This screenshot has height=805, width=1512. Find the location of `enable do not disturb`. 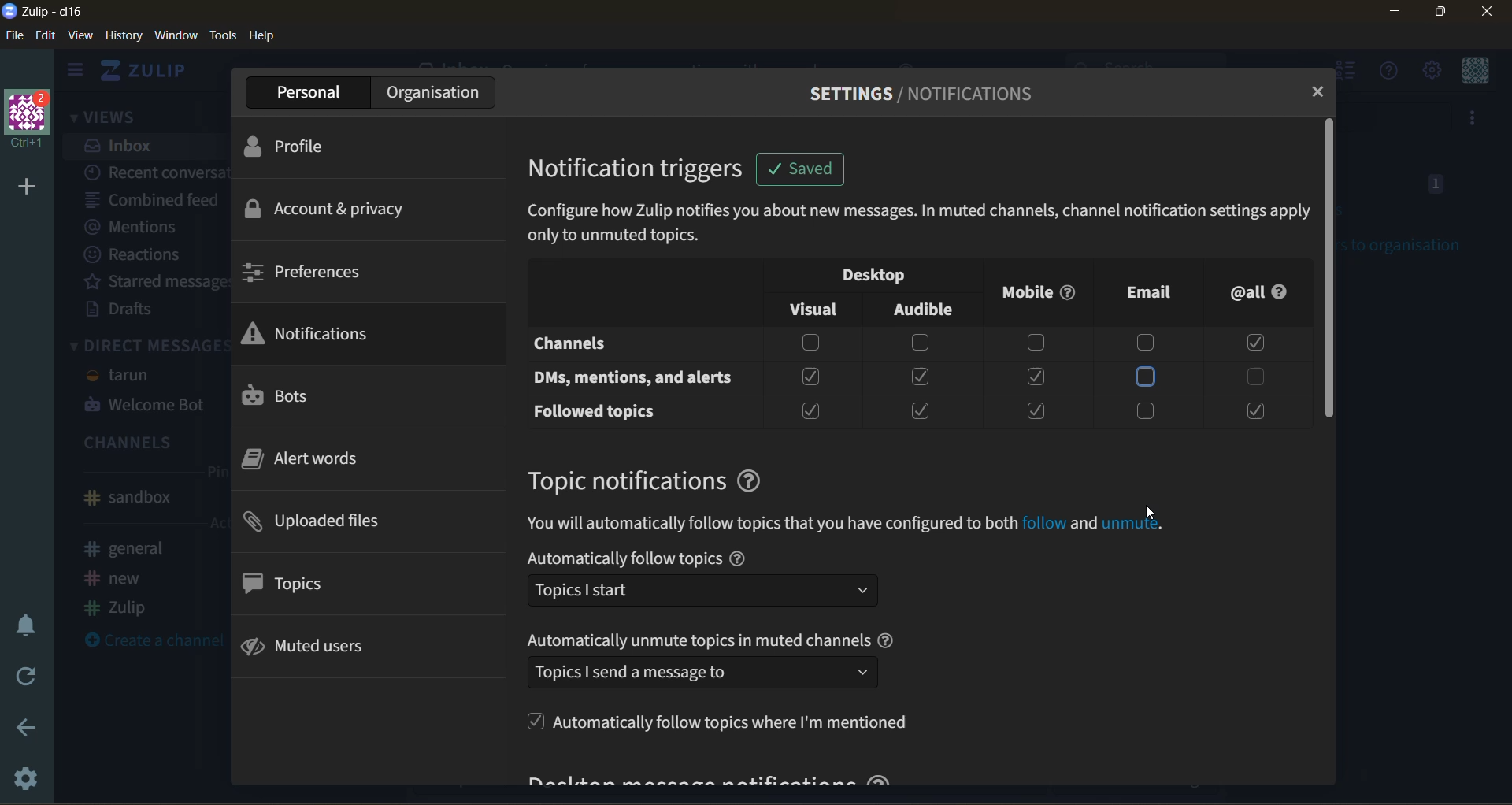

enable do not disturb is located at coordinates (28, 621).